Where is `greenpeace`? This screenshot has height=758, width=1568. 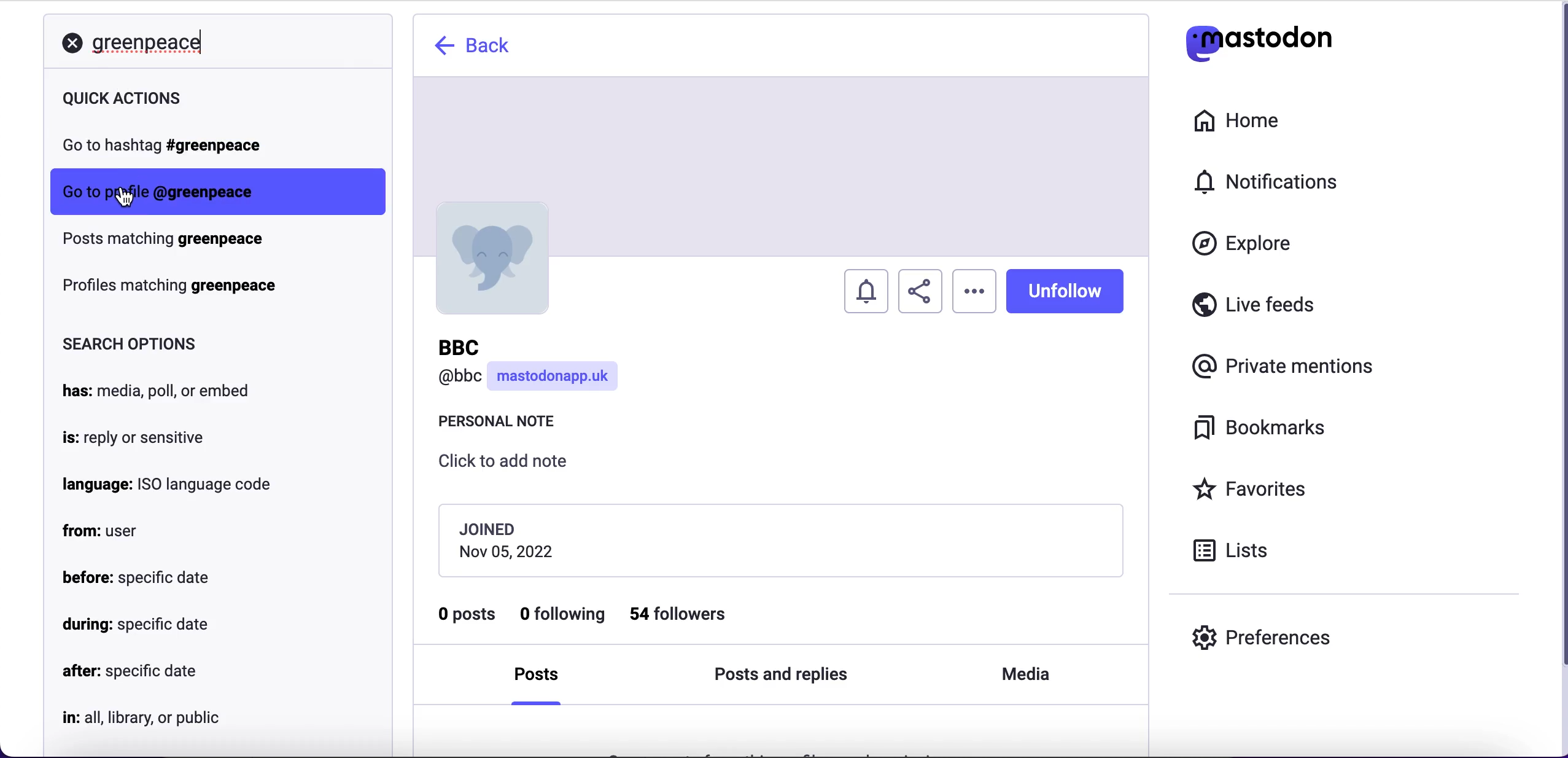 greenpeace is located at coordinates (152, 40).